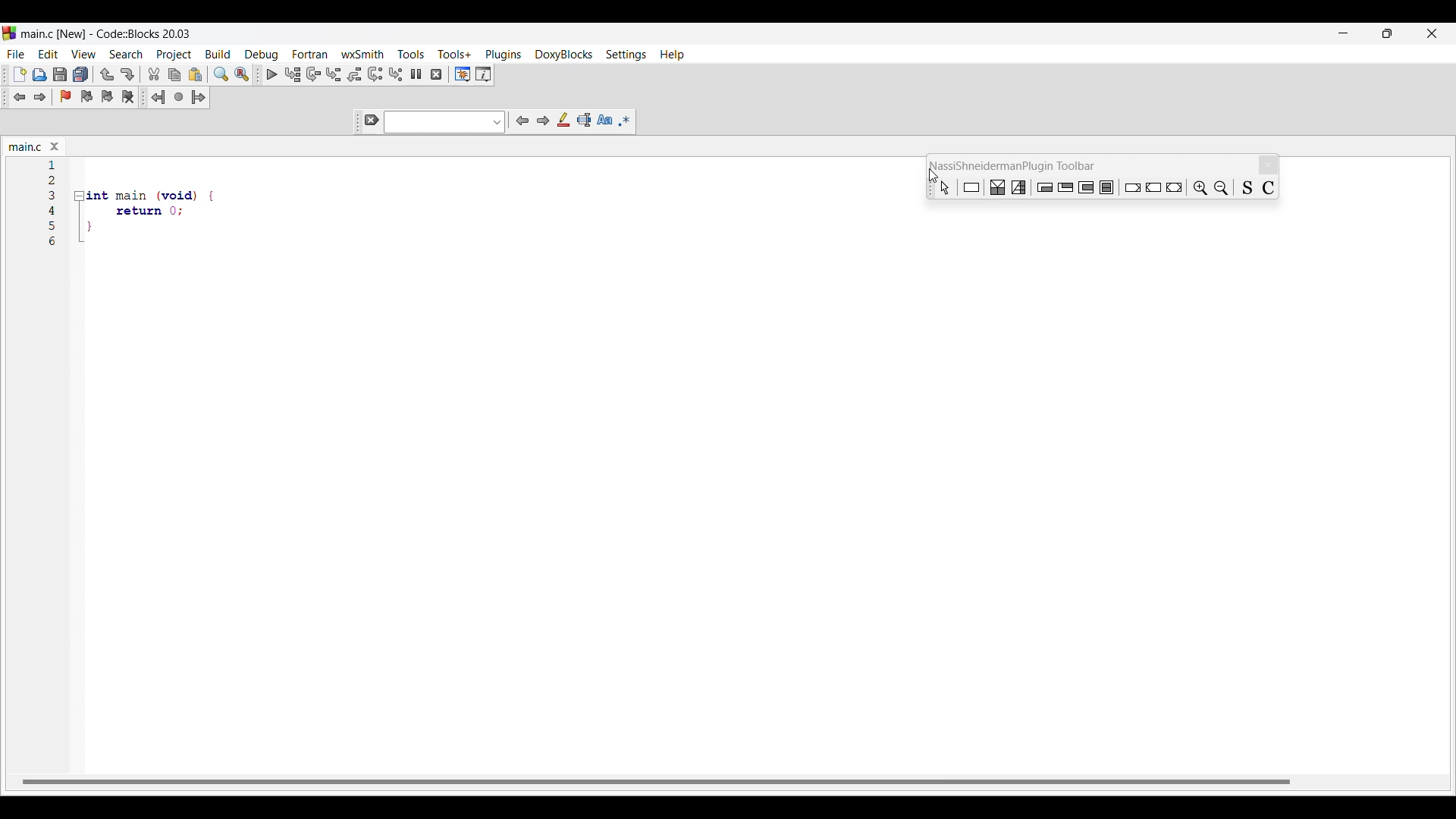 This screenshot has width=1456, height=819. I want to click on Run to cursor, so click(293, 75).